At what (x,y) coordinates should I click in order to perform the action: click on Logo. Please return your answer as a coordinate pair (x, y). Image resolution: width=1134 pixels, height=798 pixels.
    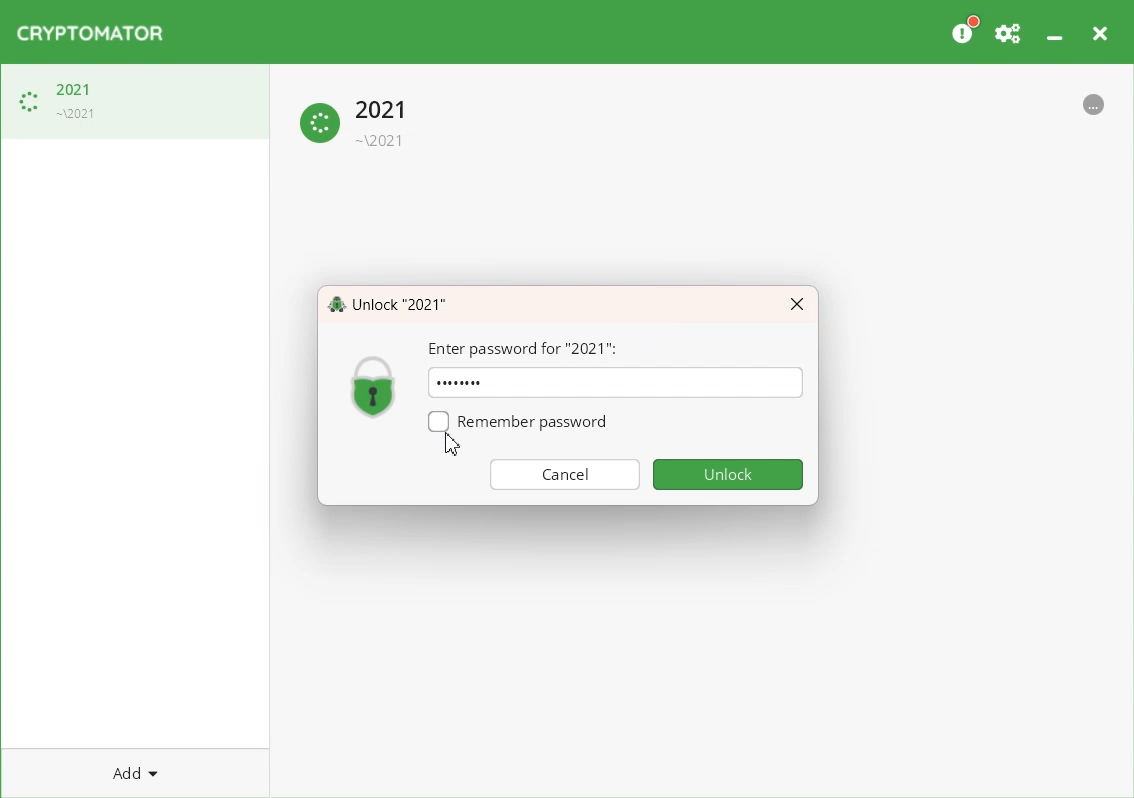
    Looking at the image, I should click on (374, 385).